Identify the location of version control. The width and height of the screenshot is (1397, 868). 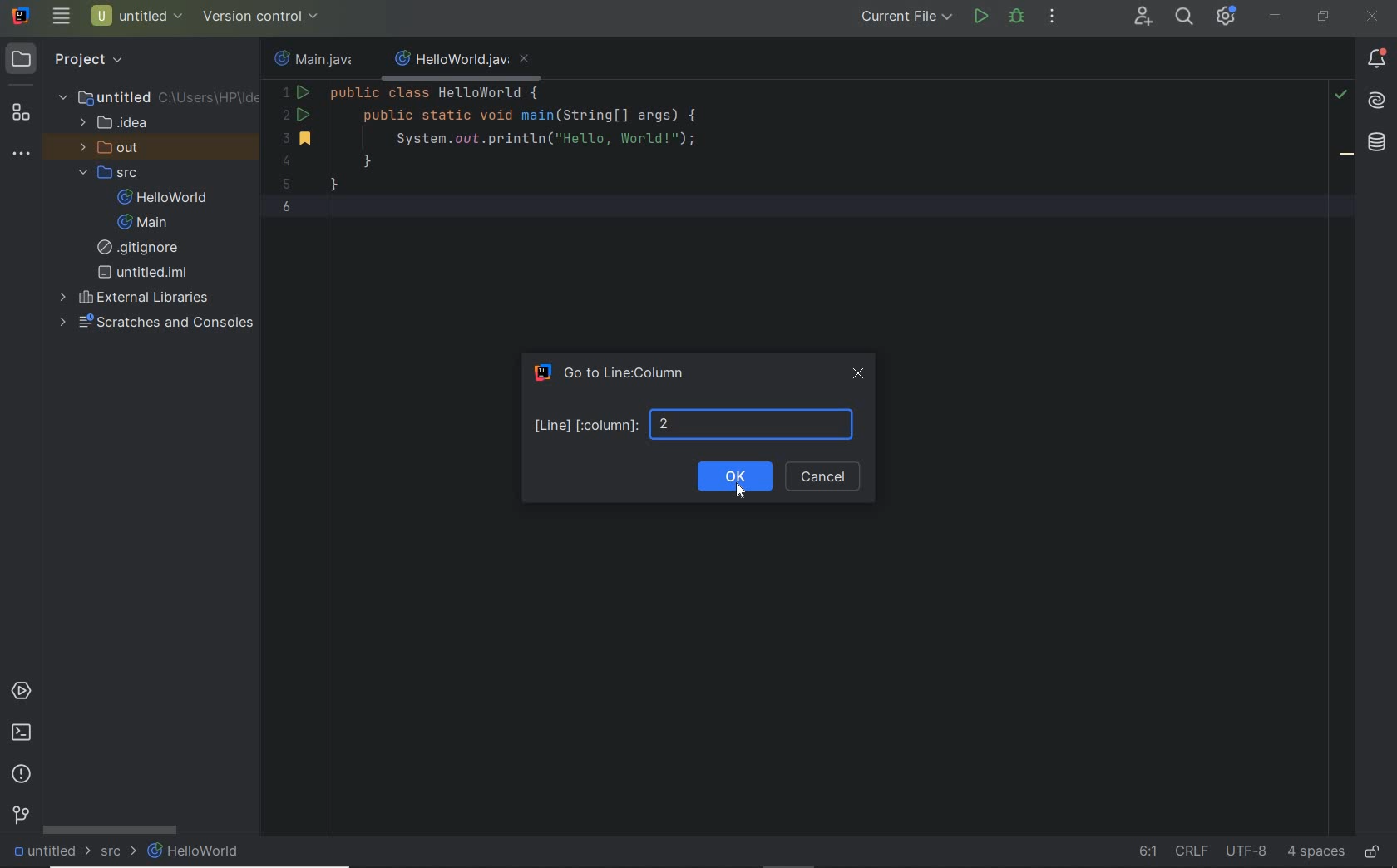
(22, 816).